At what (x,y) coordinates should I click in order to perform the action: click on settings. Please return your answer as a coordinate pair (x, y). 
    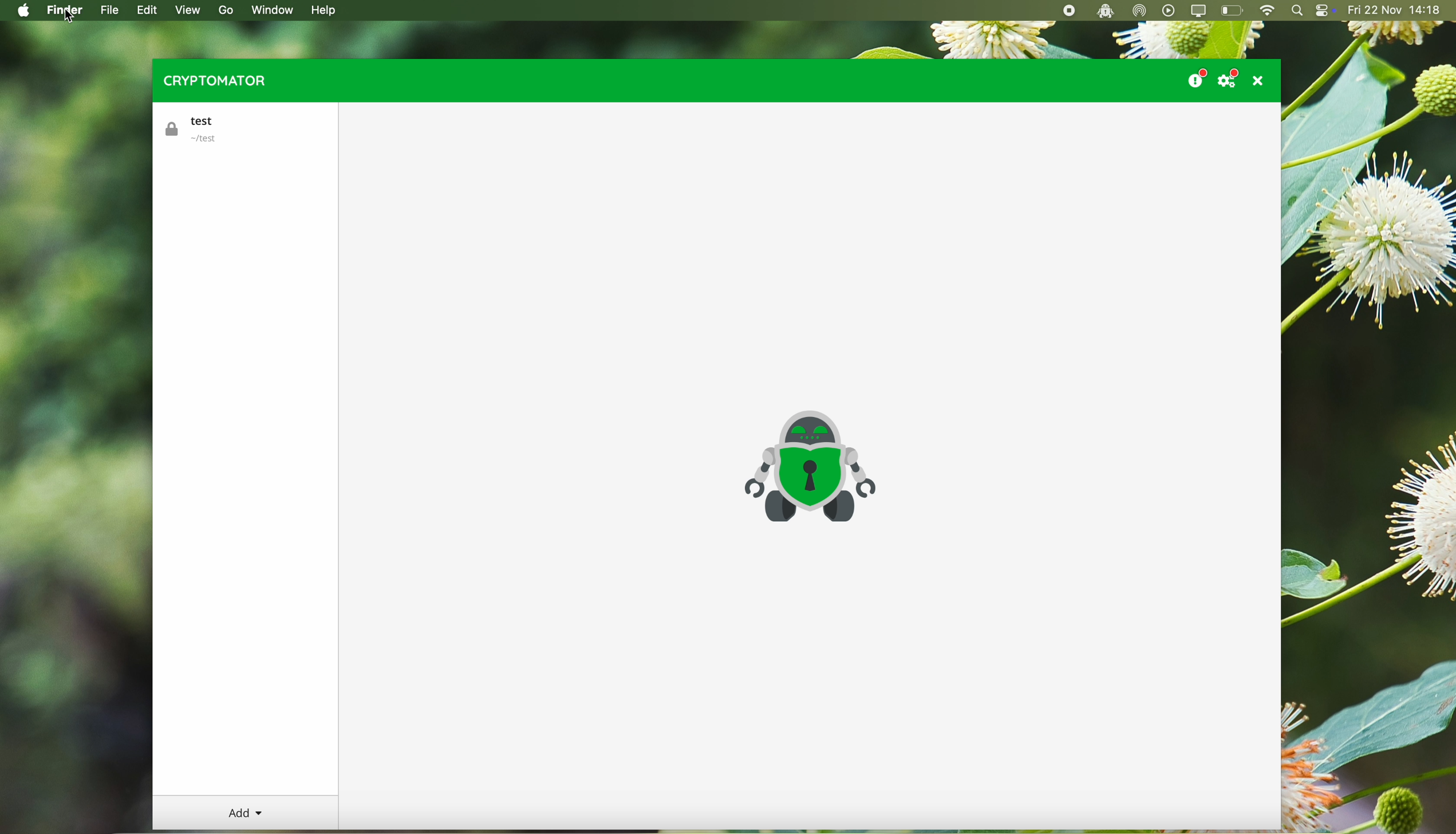
    Looking at the image, I should click on (1231, 78).